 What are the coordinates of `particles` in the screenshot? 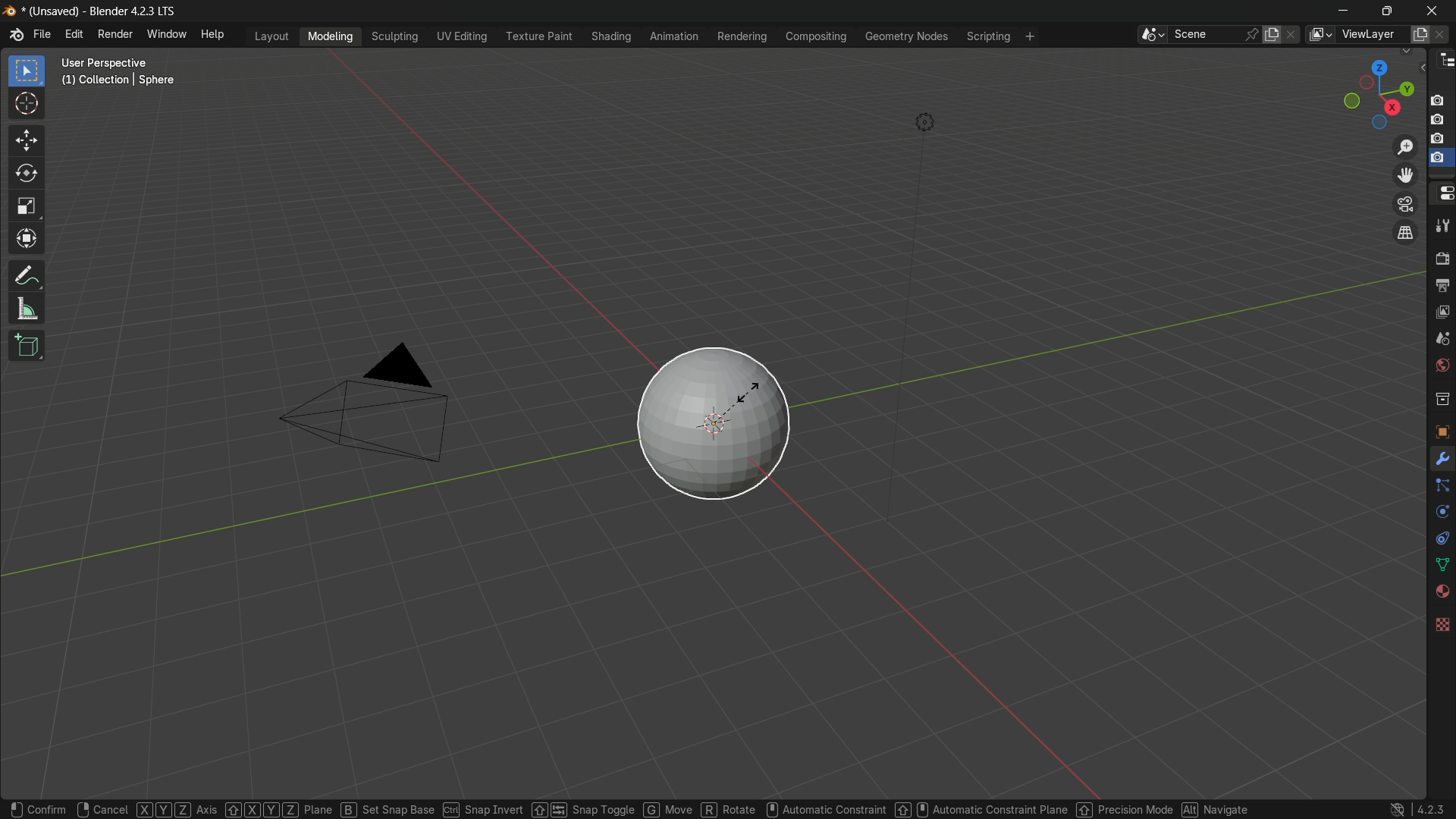 It's located at (1442, 489).